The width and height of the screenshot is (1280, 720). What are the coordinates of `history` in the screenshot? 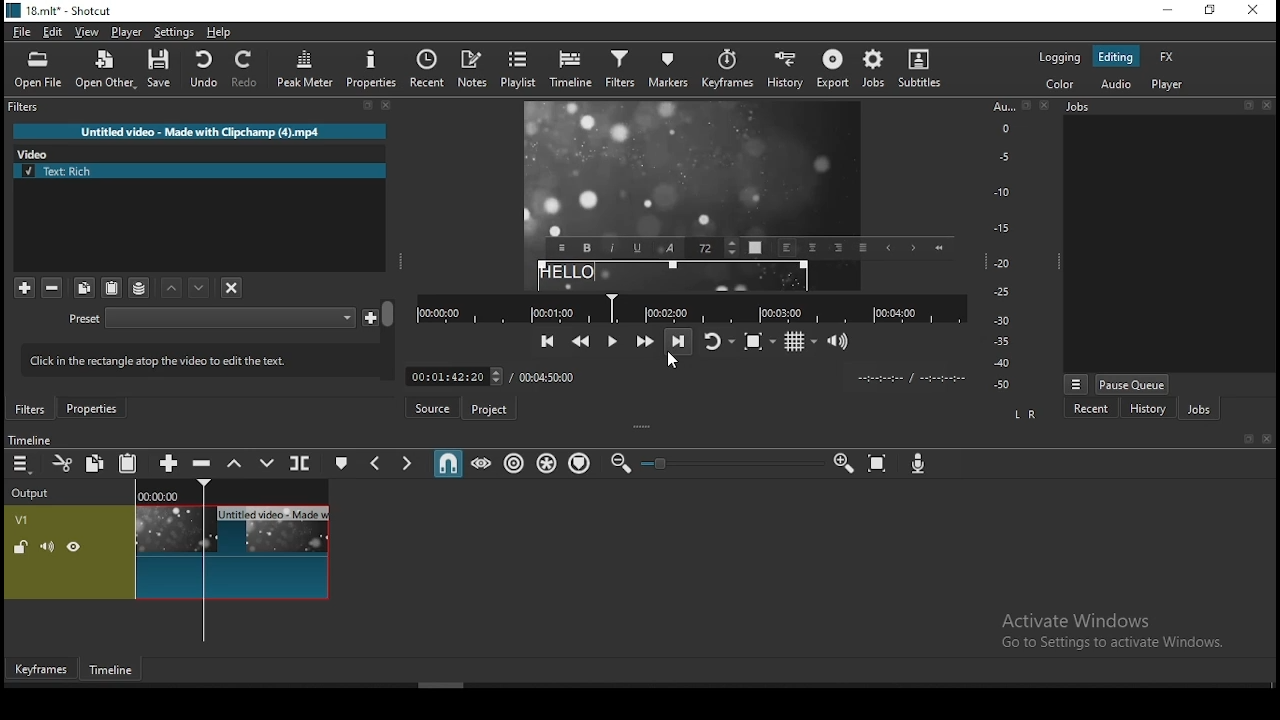 It's located at (784, 73).